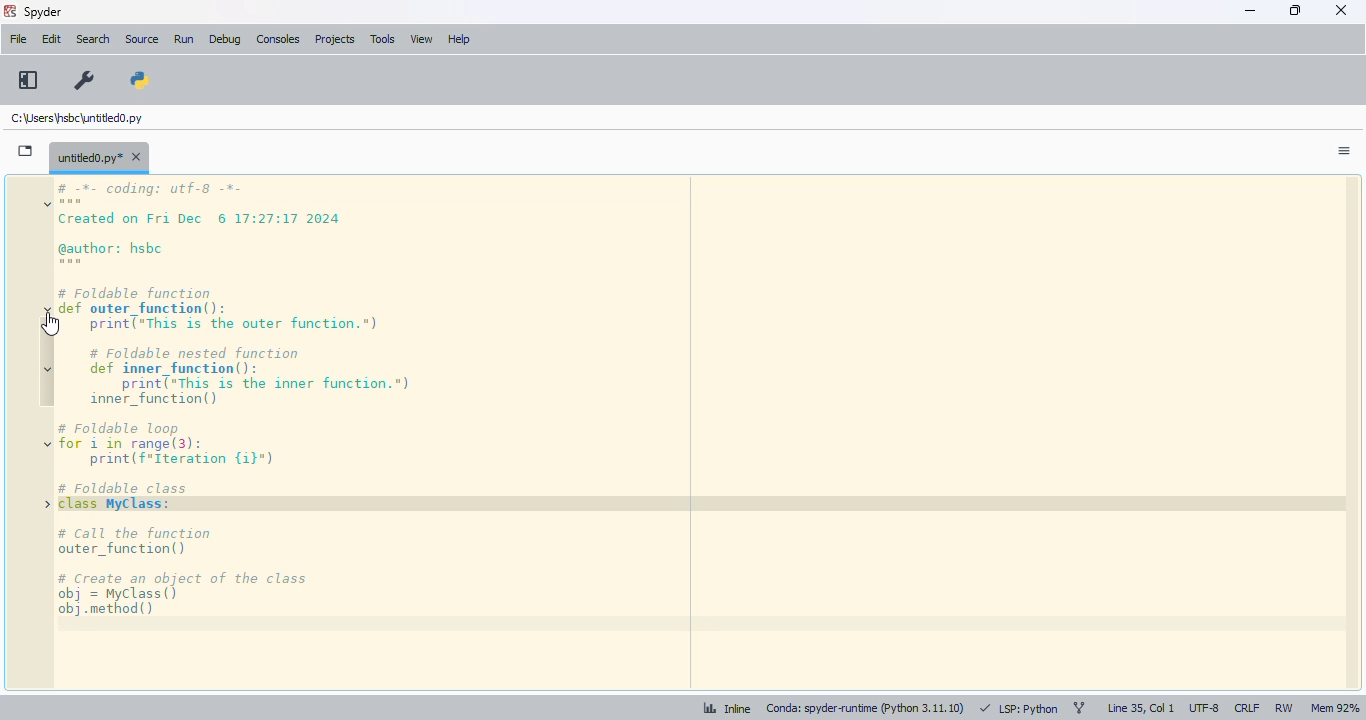 The height and width of the screenshot is (720, 1366). What do you see at coordinates (51, 39) in the screenshot?
I see `edit` at bounding box center [51, 39].